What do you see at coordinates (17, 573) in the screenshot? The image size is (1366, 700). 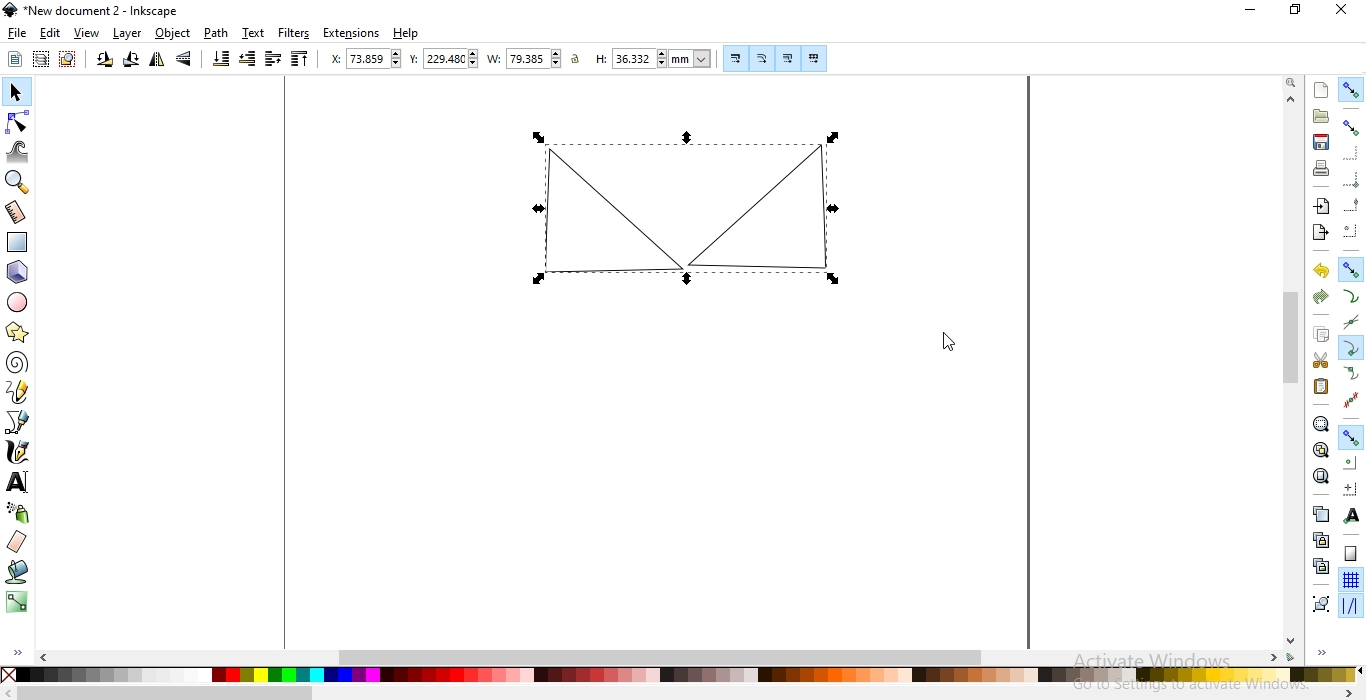 I see `fill bounded areas` at bounding box center [17, 573].